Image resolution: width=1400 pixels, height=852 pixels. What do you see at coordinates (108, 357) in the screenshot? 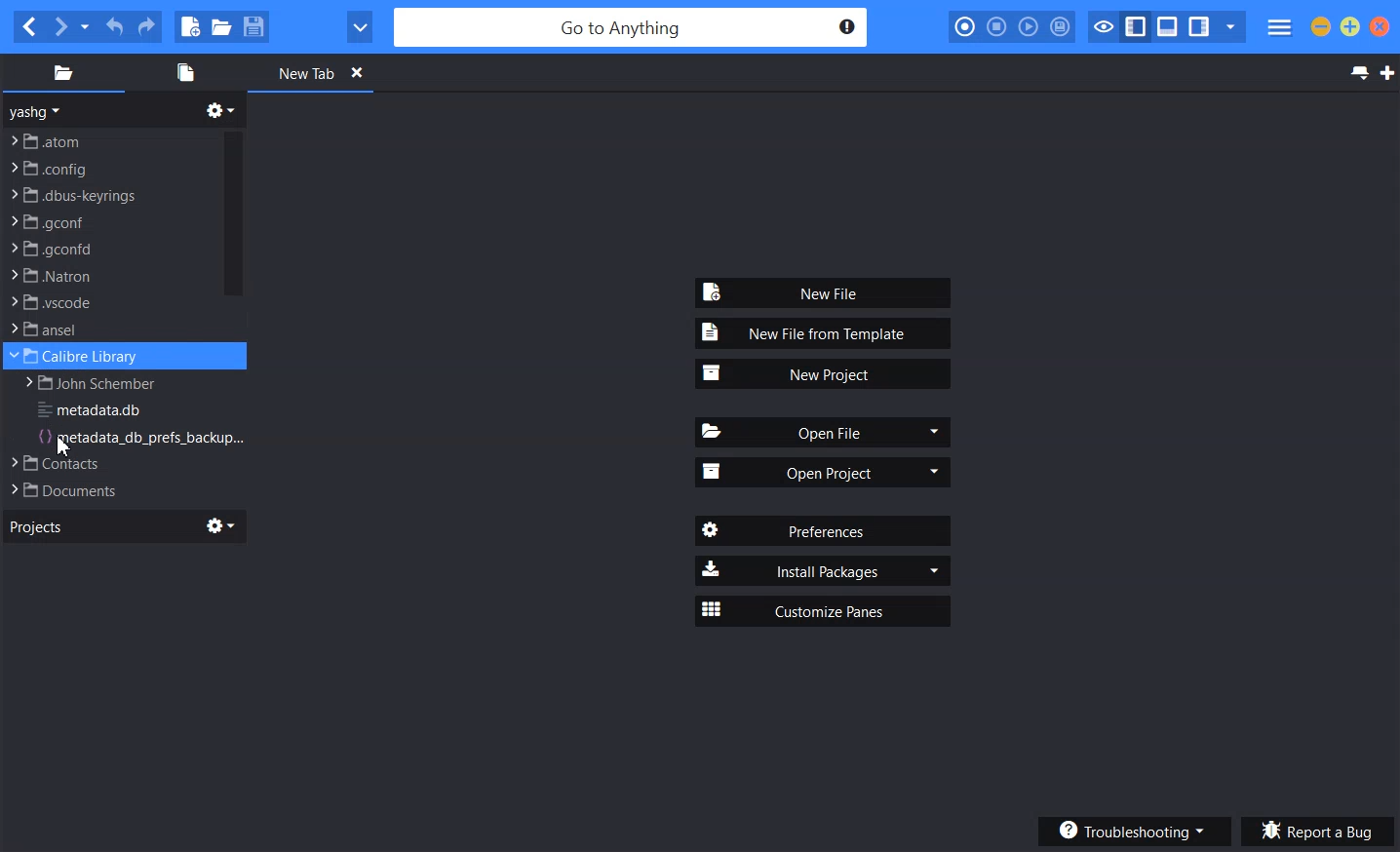
I see `File` at bounding box center [108, 357].